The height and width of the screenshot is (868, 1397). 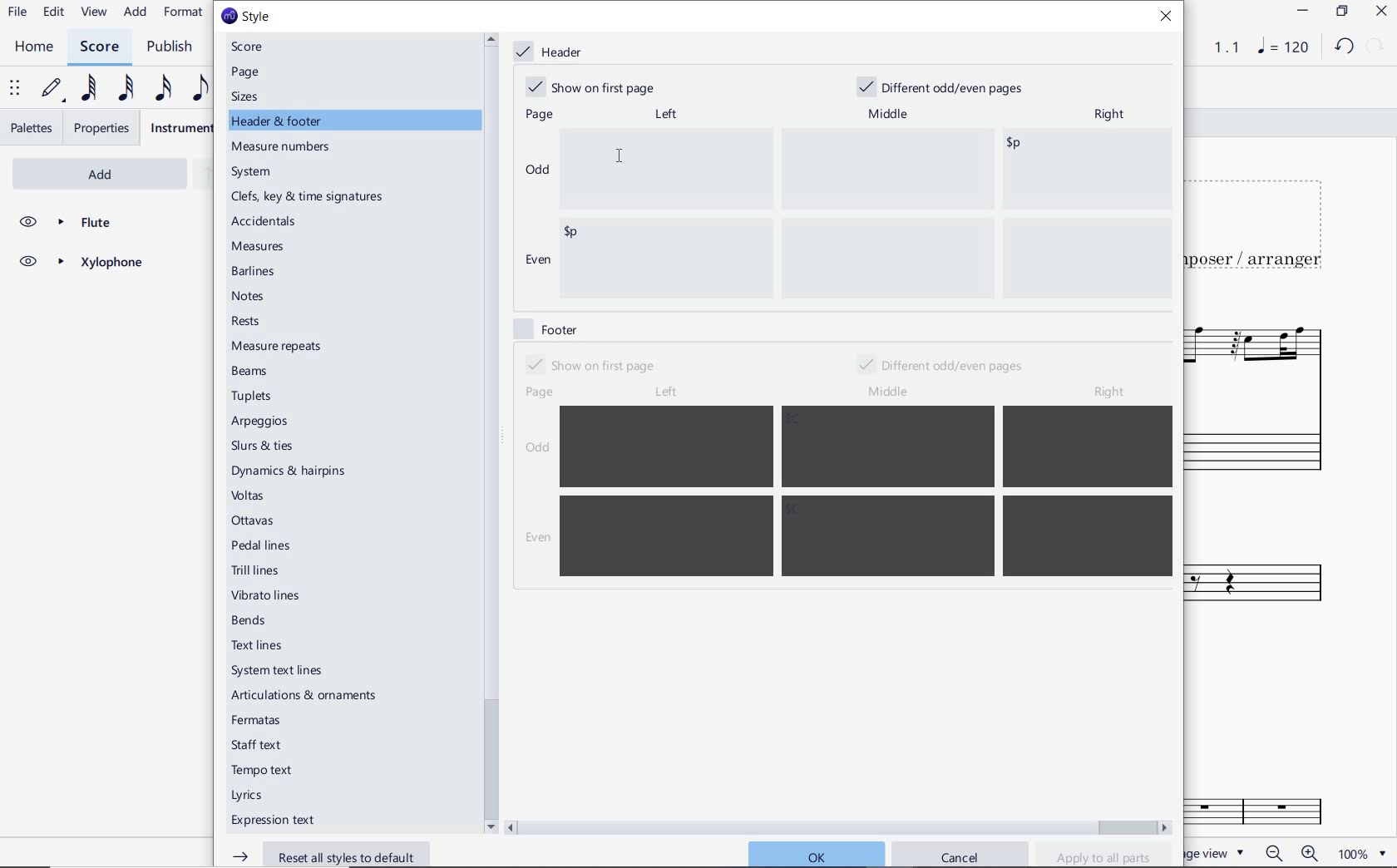 What do you see at coordinates (1104, 856) in the screenshot?
I see `apply to all parts` at bounding box center [1104, 856].